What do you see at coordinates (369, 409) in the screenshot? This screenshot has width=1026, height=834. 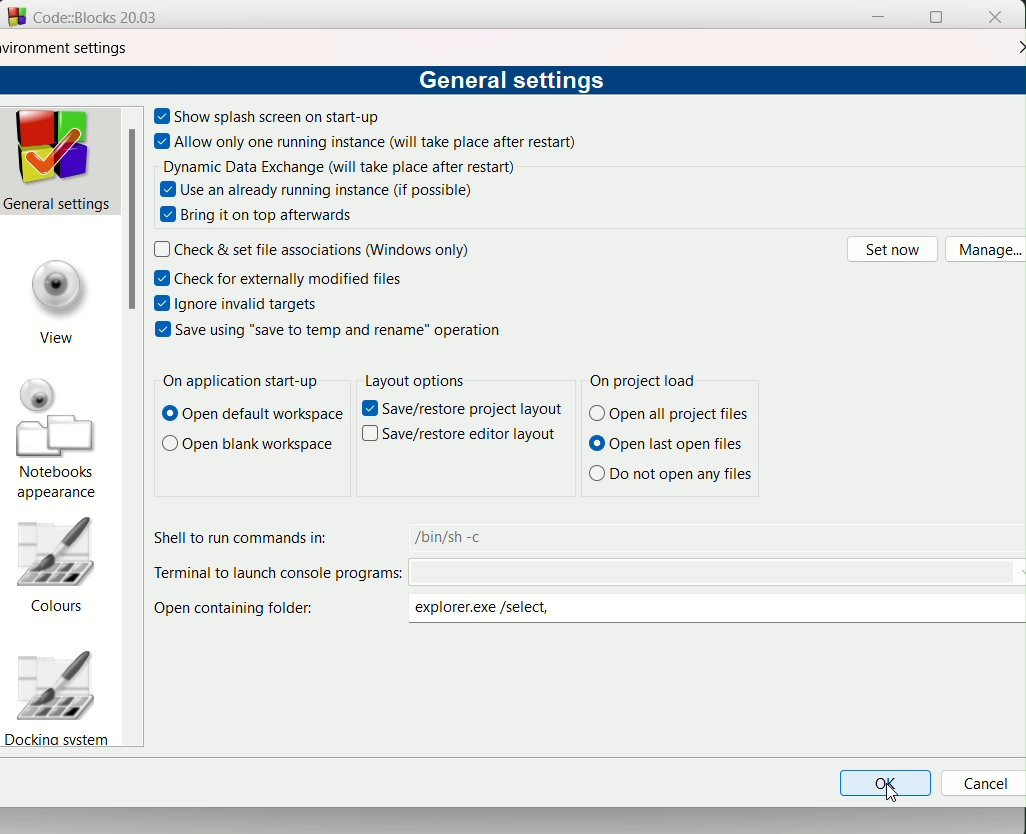 I see `text` at bounding box center [369, 409].